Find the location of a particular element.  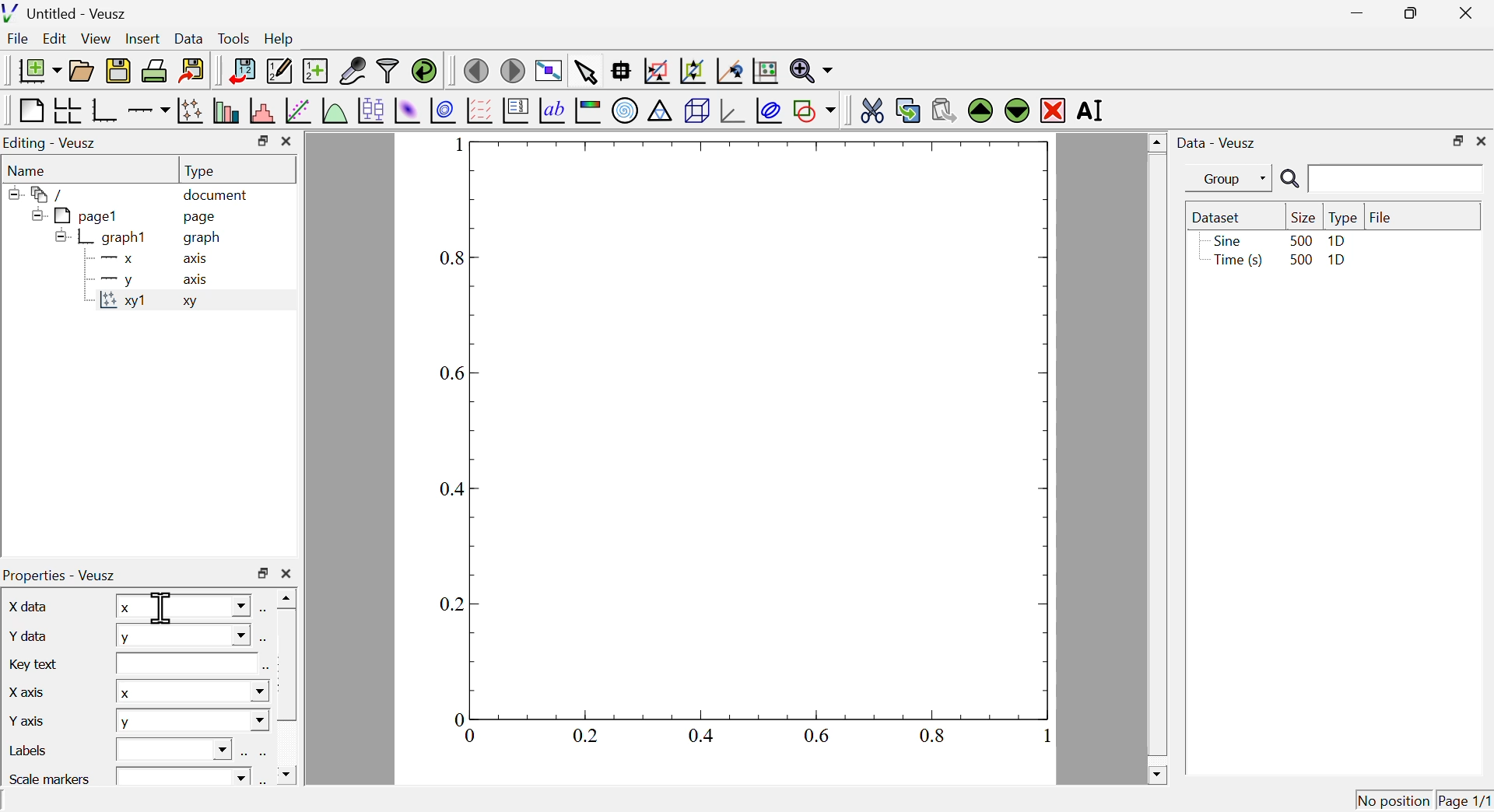

y is located at coordinates (114, 281).